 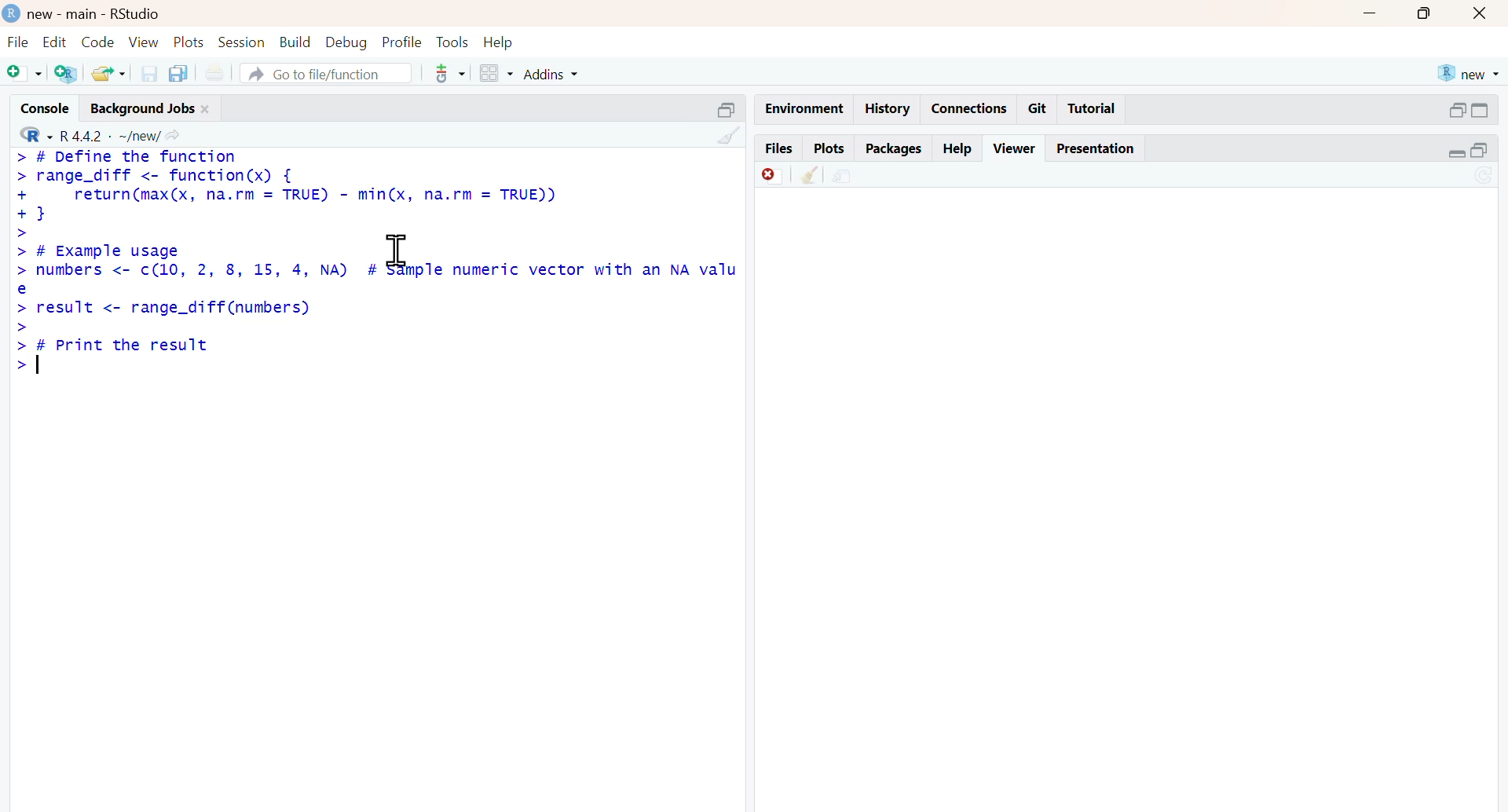 What do you see at coordinates (778, 149) in the screenshot?
I see `files` at bounding box center [778, 149].